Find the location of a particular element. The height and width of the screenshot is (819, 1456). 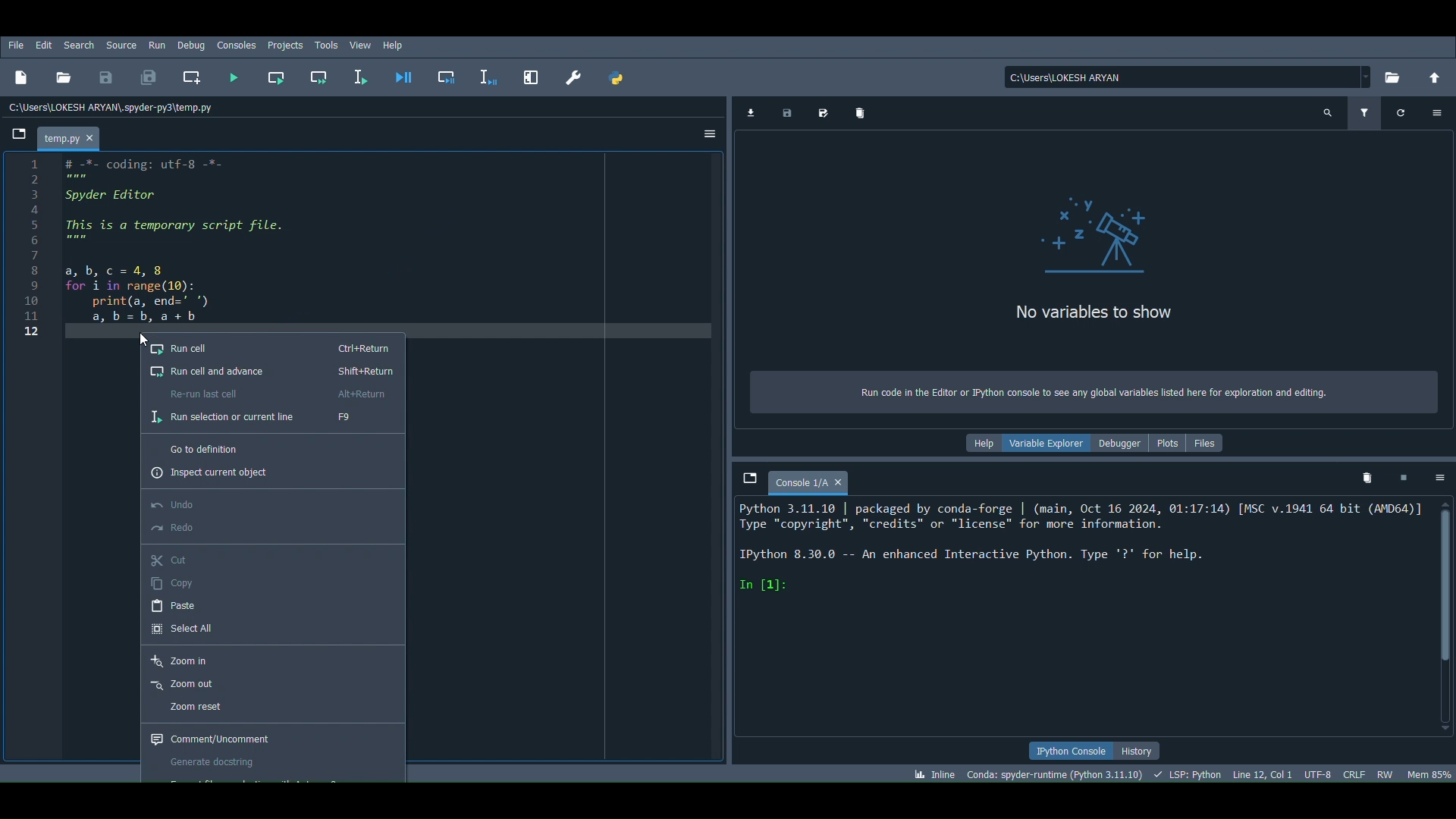

Copy is located at coordinates (268, 581).